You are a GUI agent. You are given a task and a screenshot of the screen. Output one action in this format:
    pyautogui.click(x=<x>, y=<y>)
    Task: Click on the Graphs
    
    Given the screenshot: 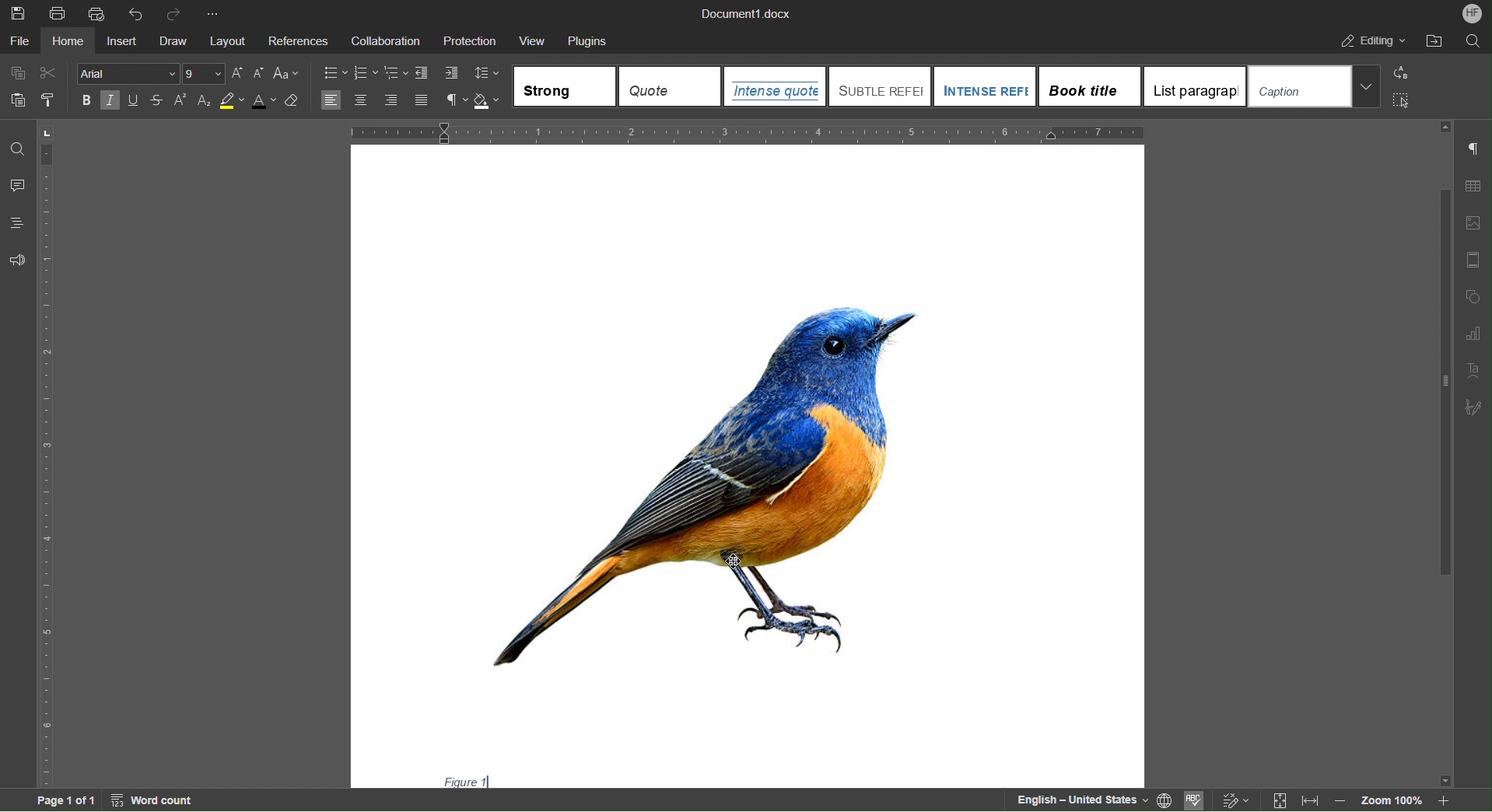 What is the action you would take?
    pyautogui.click(x=1472, y=334)
    